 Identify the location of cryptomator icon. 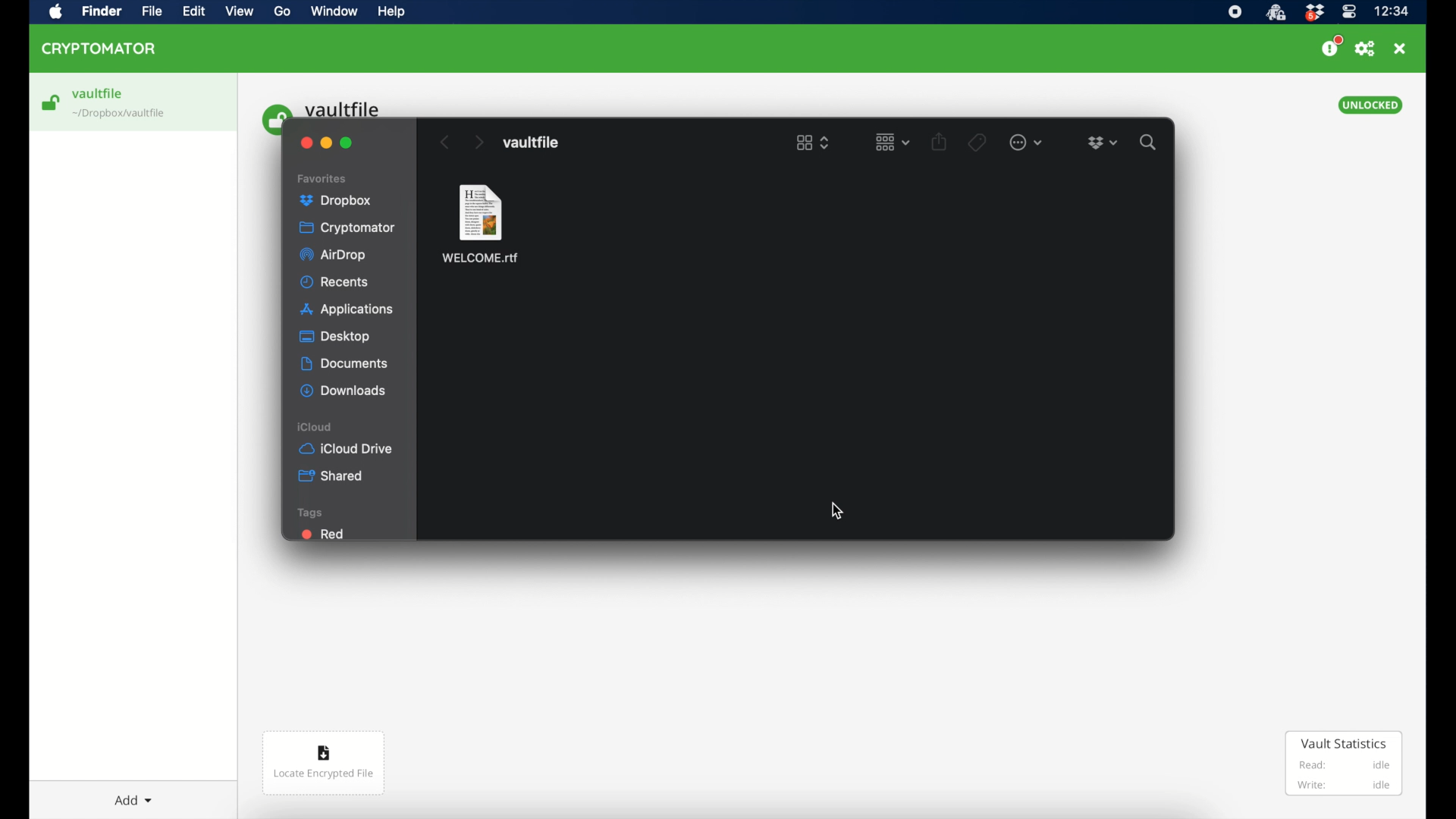
(1275, 12).